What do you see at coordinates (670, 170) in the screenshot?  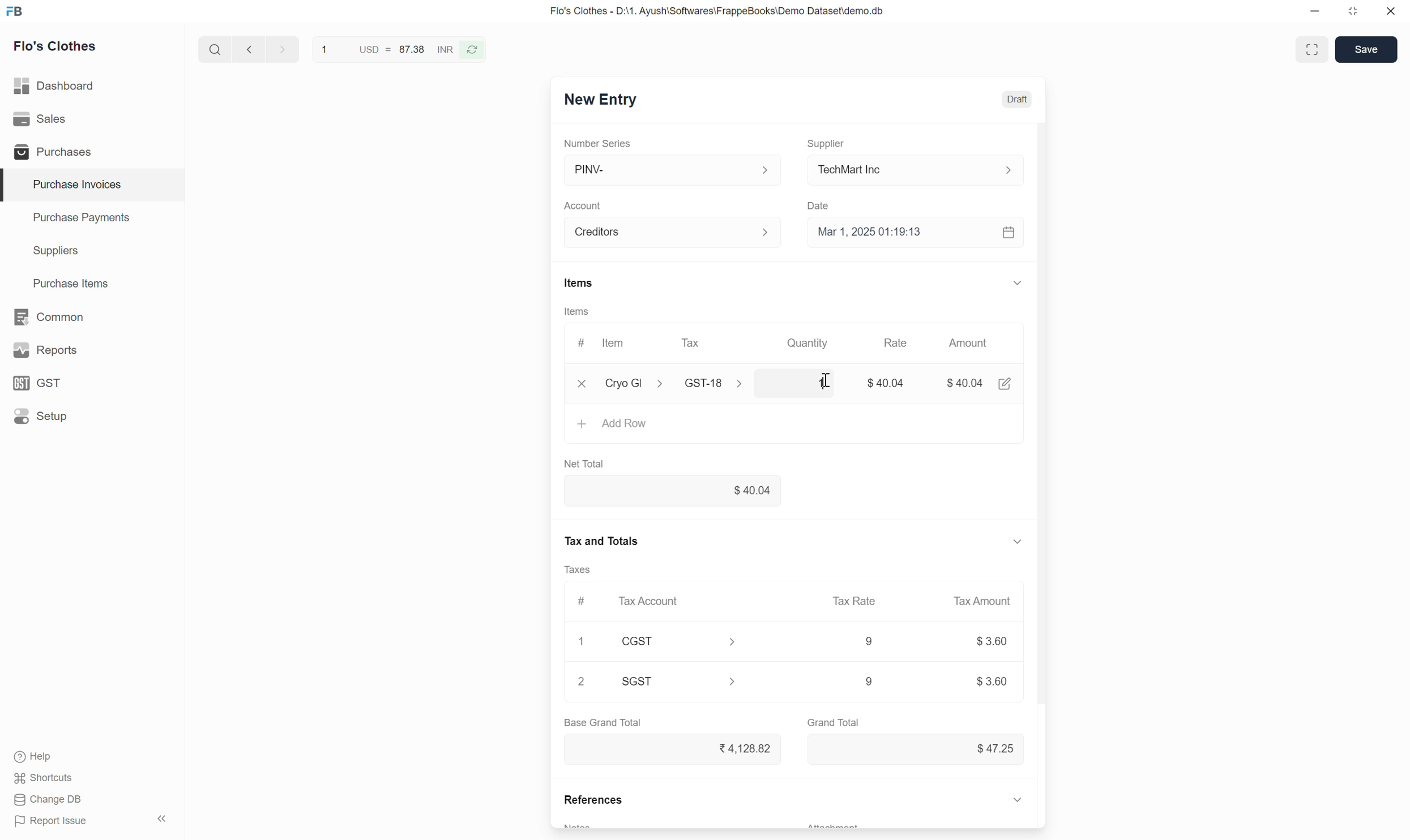 I see `PINV-` at bounding box center [670, 170].